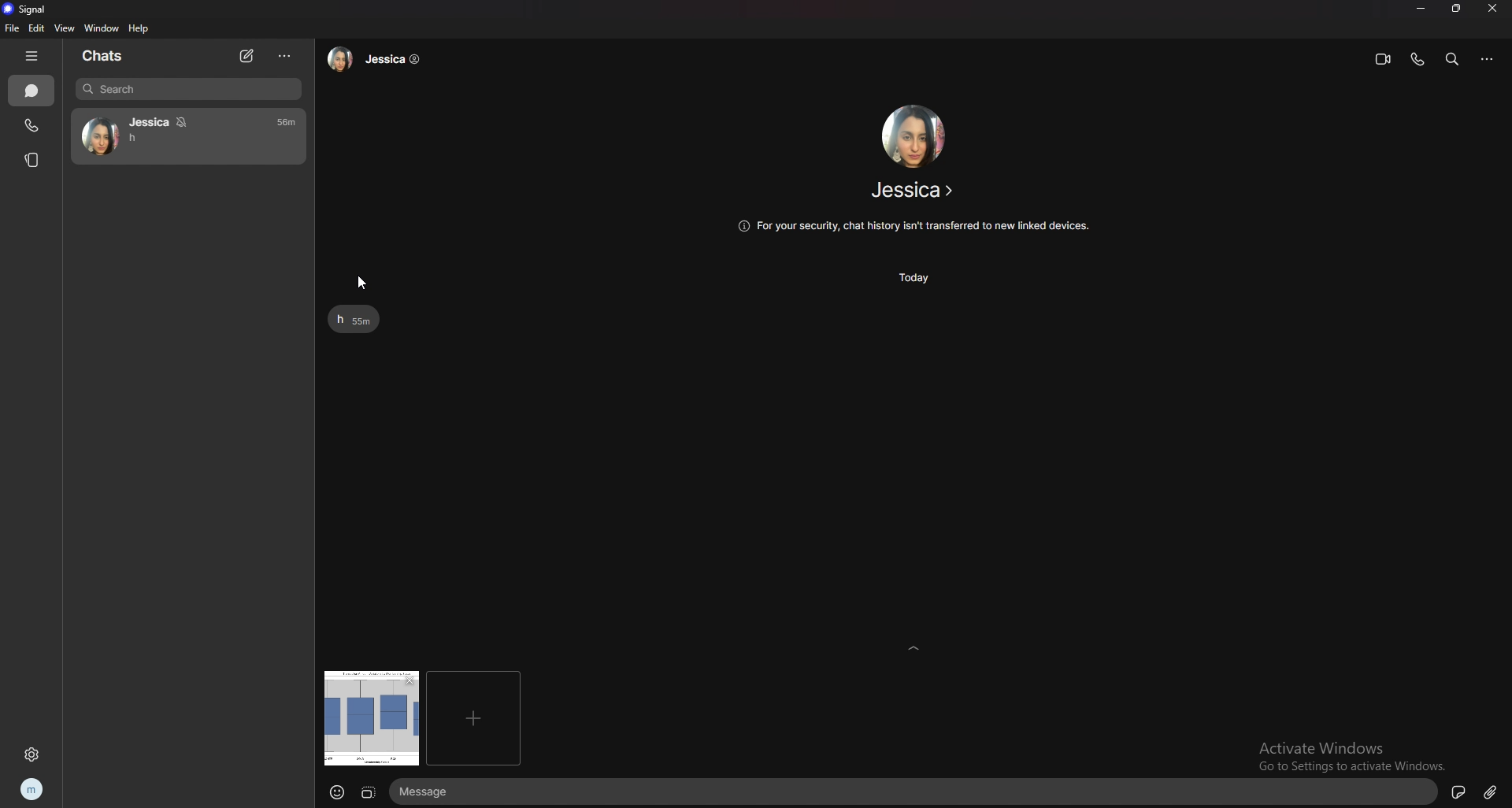 The image size is (1512, 808). What do you see at coordinates (1380, 61) in the screenshot?
I see `video call` at bounding box center [1380, 61].